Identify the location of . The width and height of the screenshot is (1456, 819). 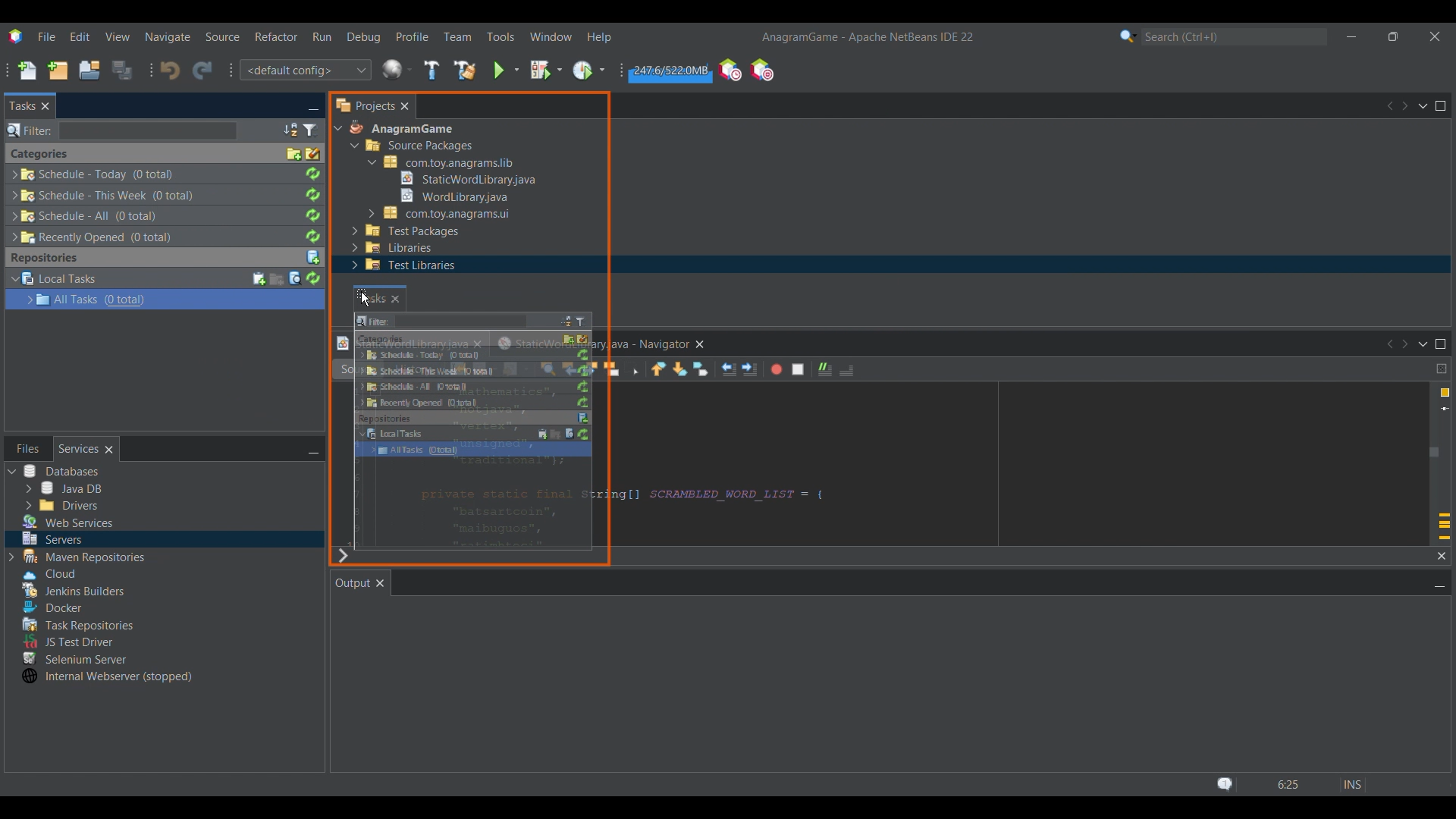
(105, 194).